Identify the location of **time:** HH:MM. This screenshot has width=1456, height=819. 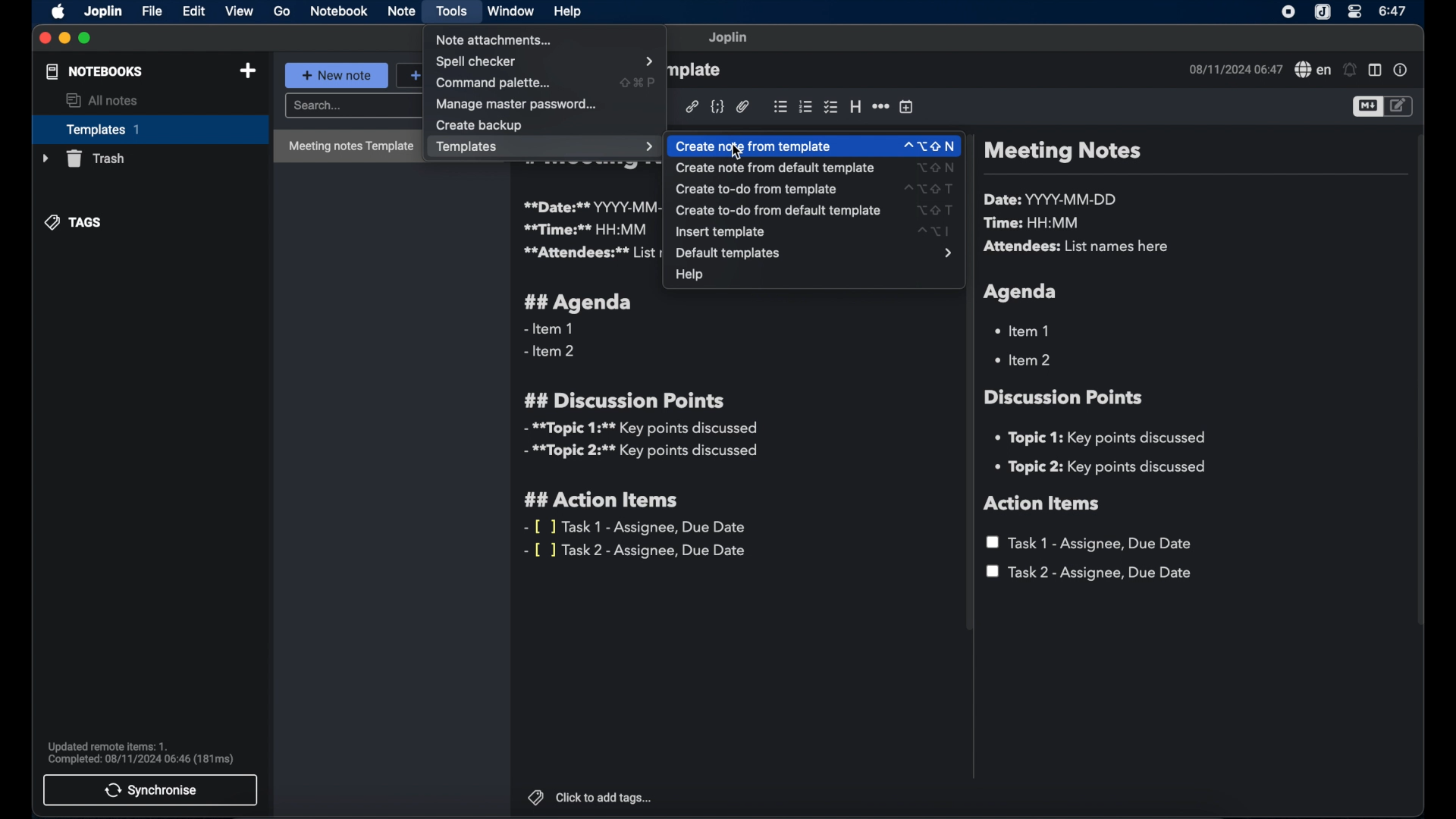
(586, 229).